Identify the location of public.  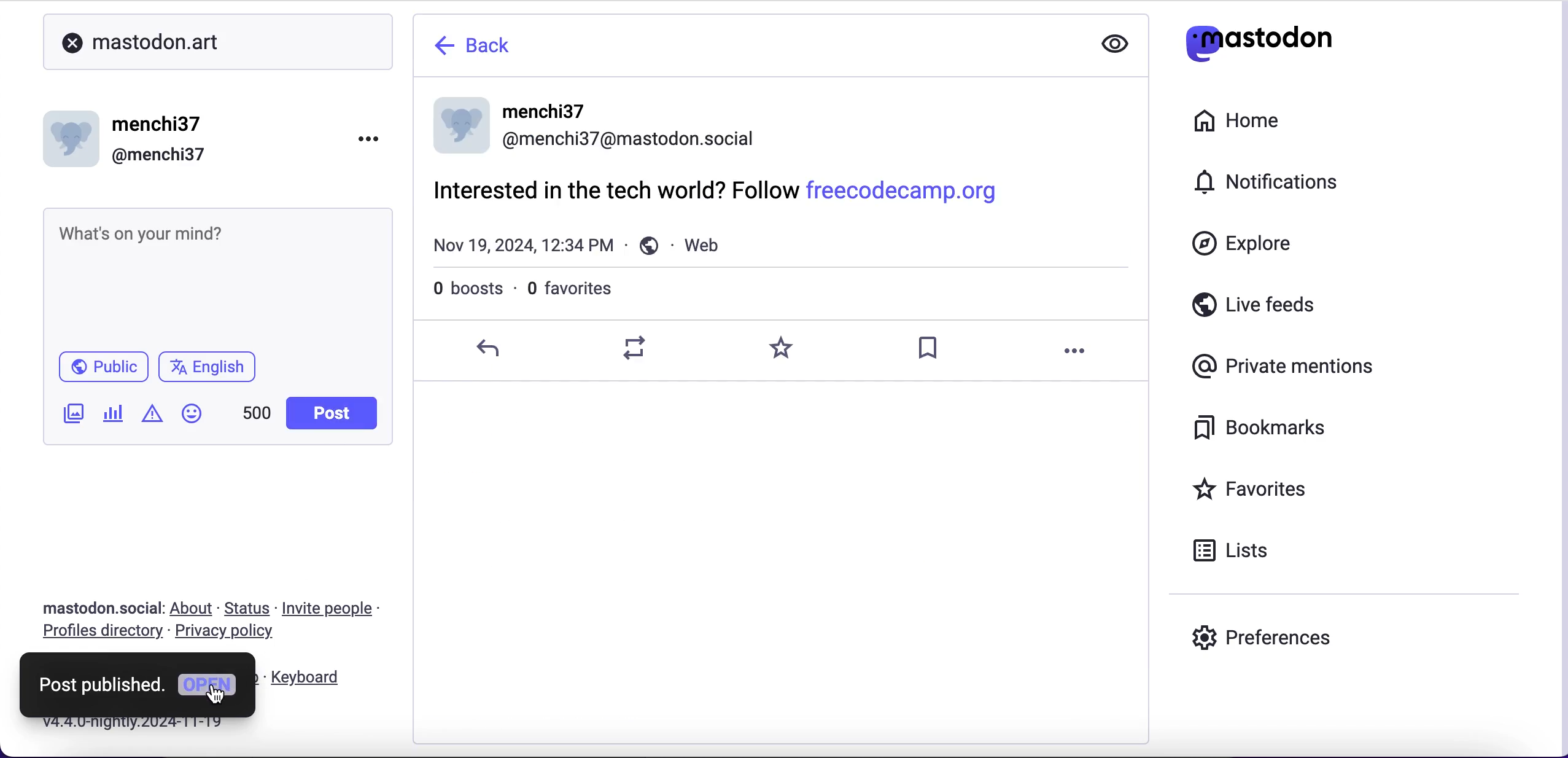
(103, 365).